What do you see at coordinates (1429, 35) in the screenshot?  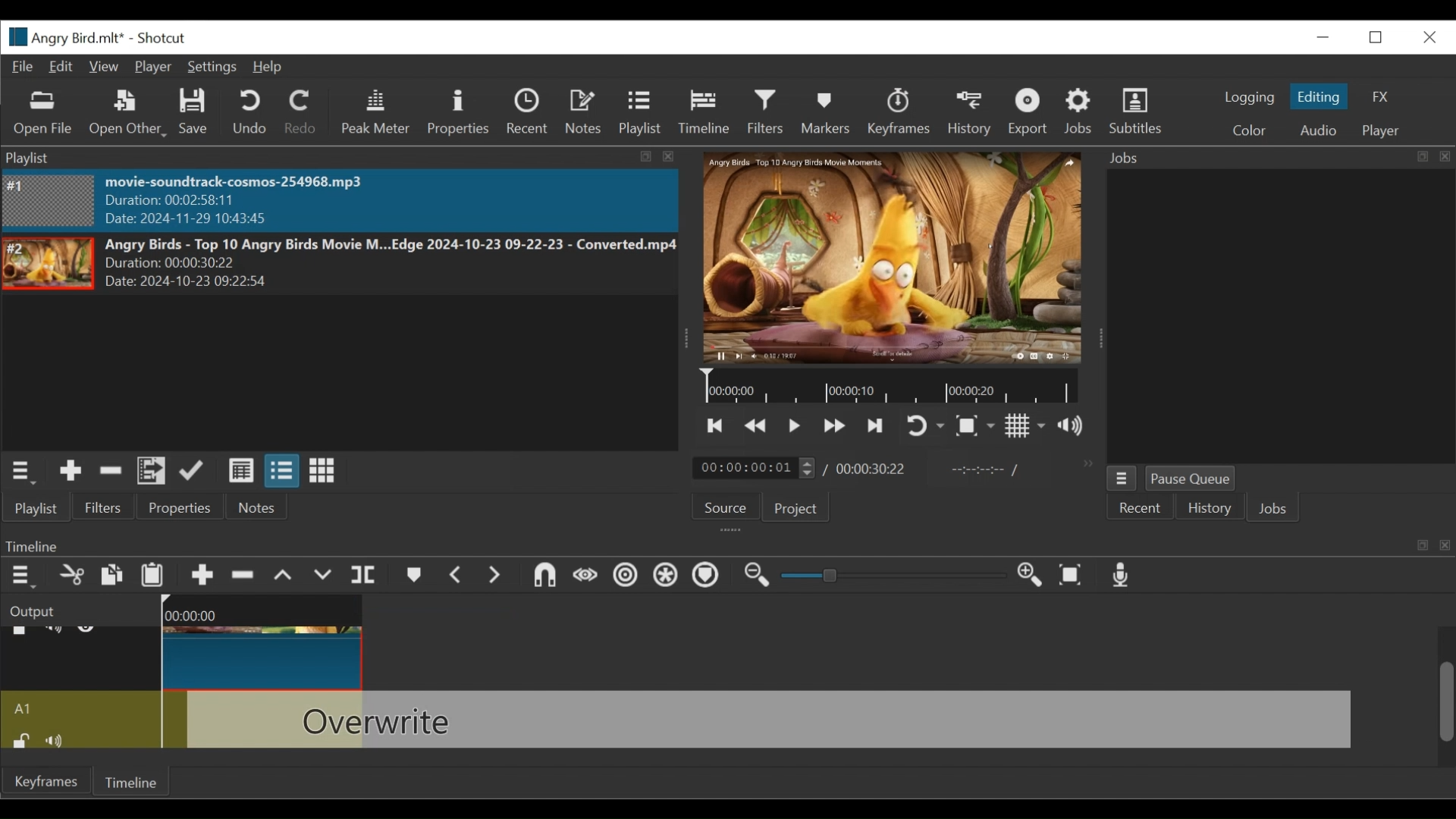 I see `Close` at bounding box center [1429, 35].